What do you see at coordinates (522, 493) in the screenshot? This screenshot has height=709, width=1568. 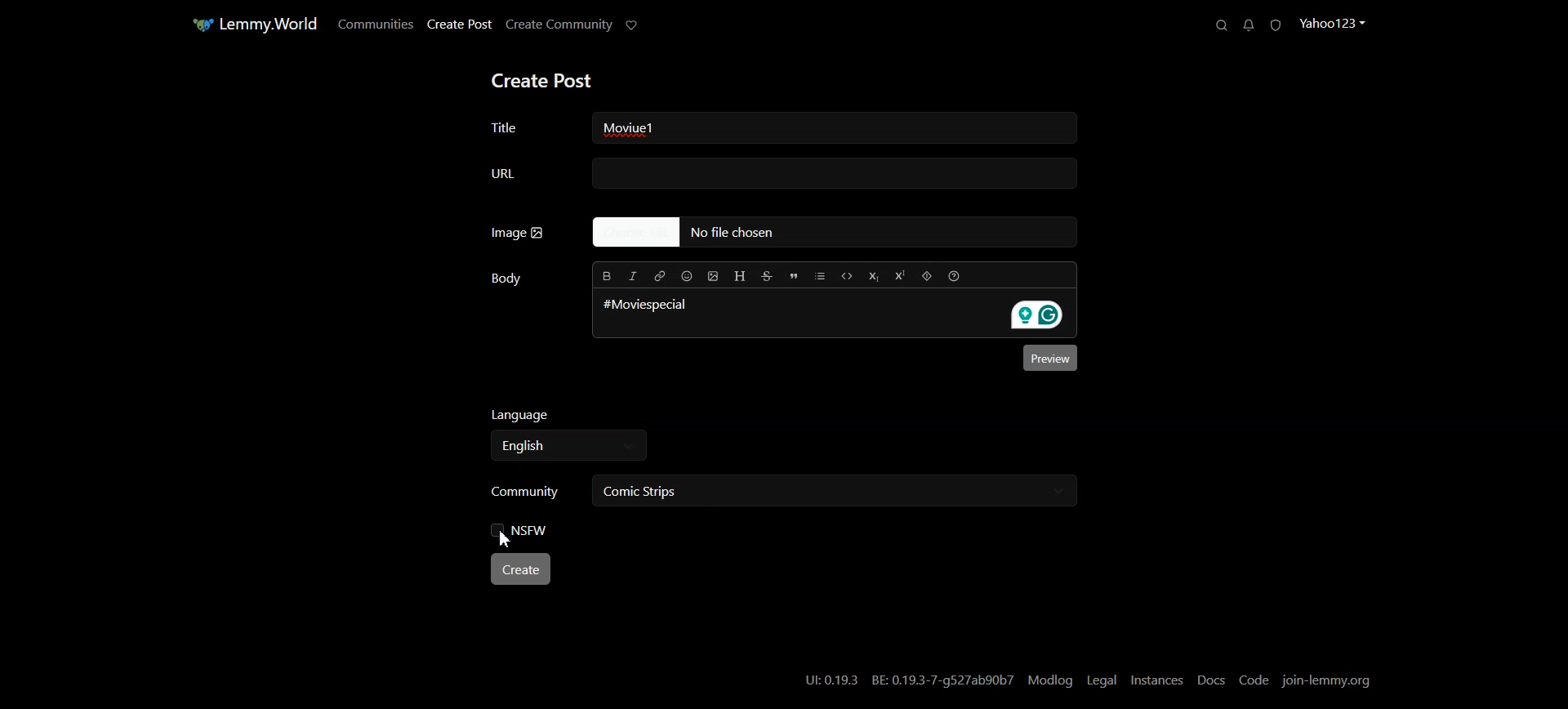 I see `Community` at bounding box center [522, 493].